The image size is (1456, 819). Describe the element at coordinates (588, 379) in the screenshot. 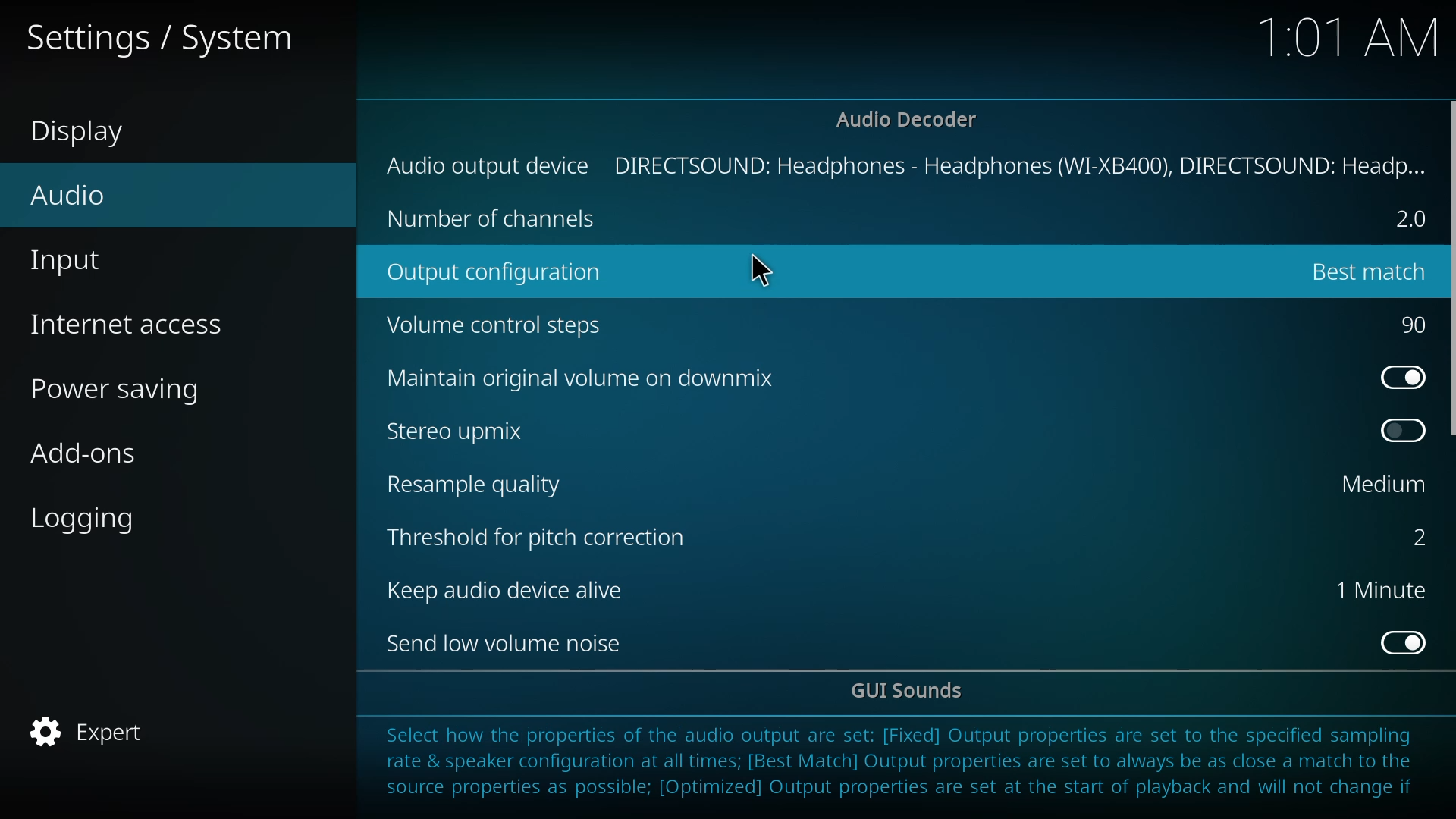

I see `downmix` at that location.